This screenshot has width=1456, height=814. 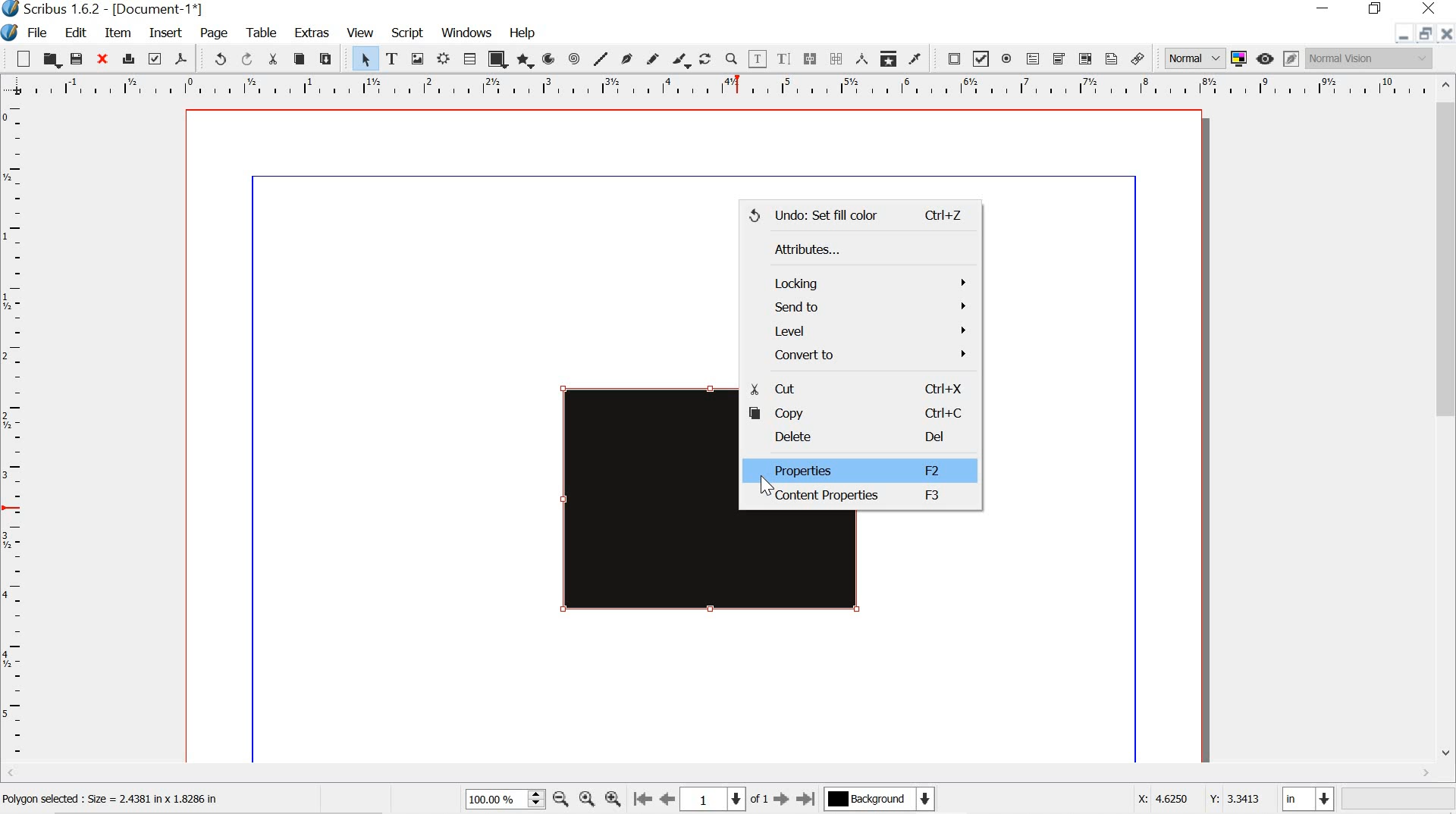 I want to click on edit, so click(x=70, y=32).